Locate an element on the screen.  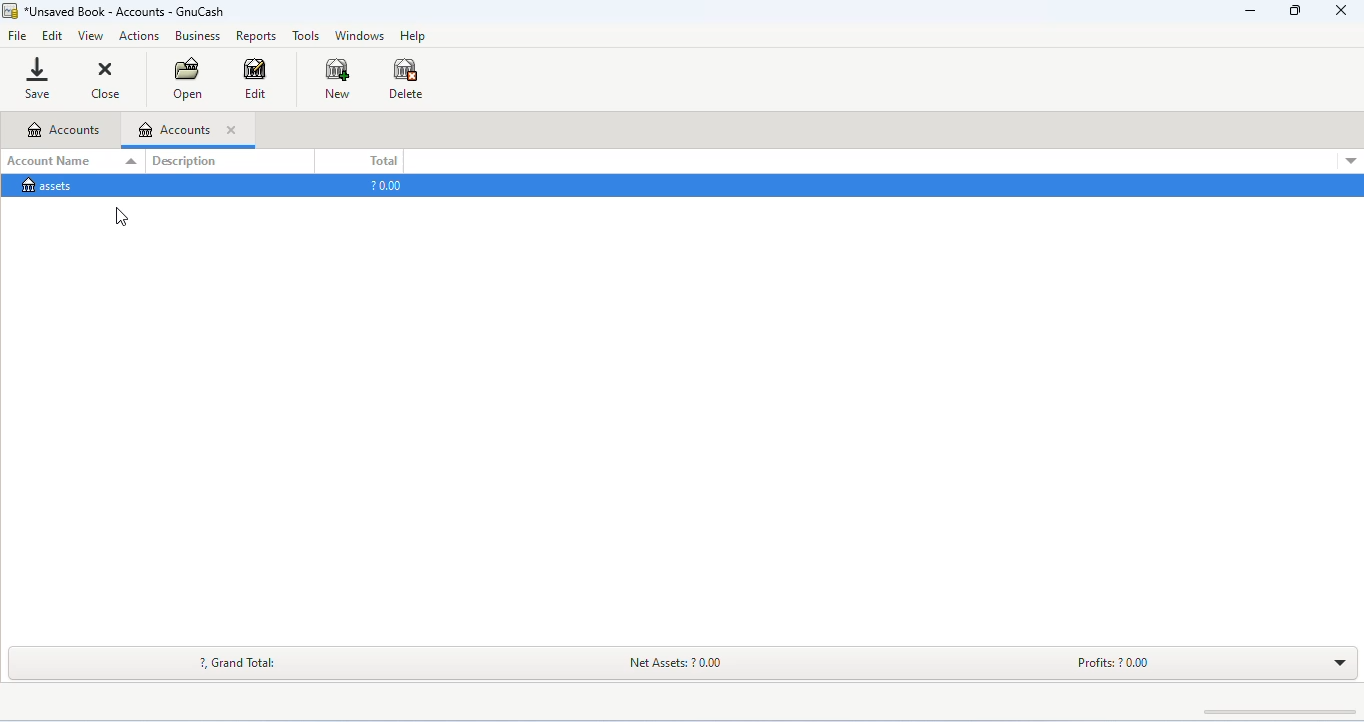
maximize is located at coordinates (1294, 12).